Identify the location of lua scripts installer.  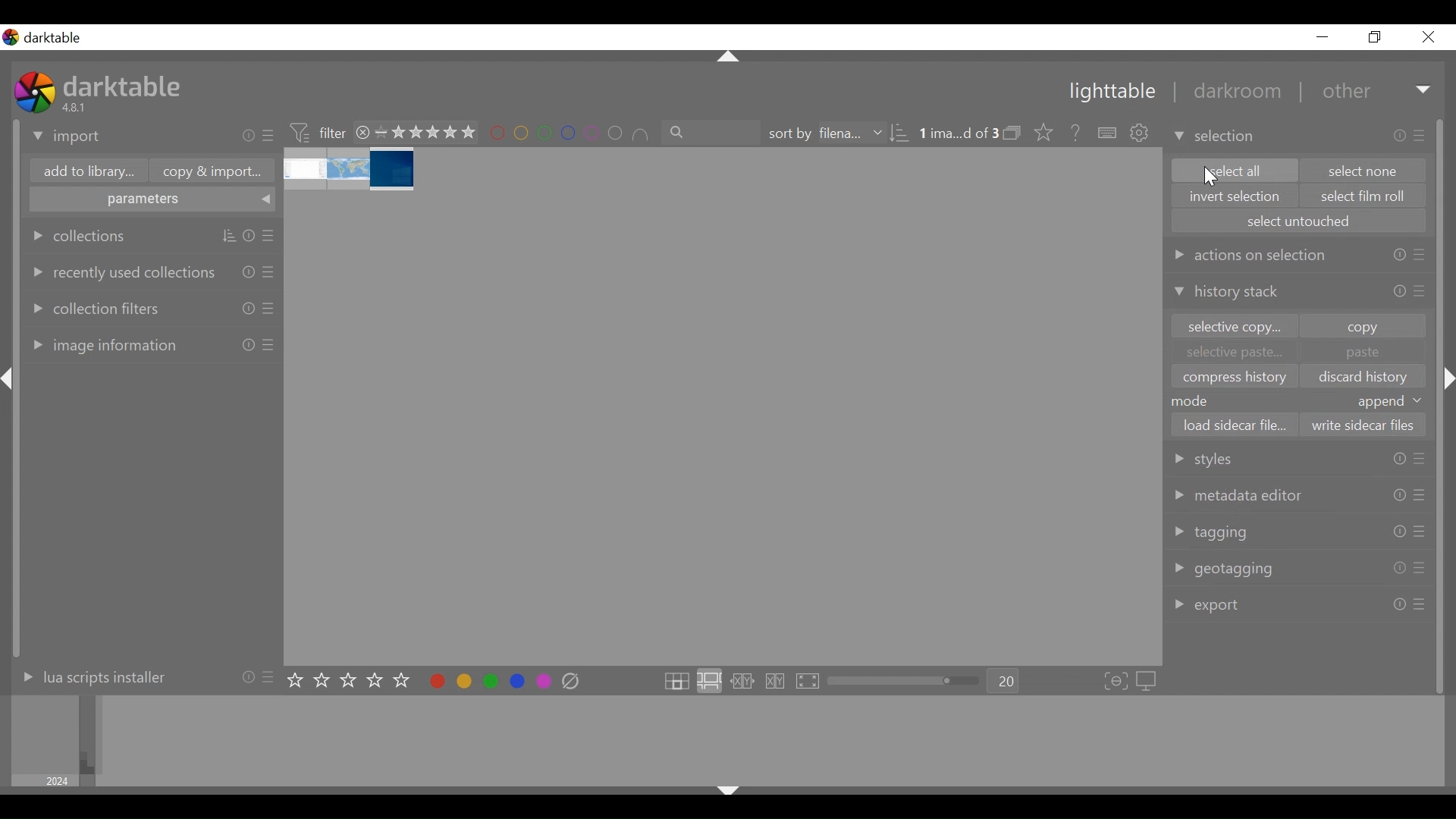
(90, 676).